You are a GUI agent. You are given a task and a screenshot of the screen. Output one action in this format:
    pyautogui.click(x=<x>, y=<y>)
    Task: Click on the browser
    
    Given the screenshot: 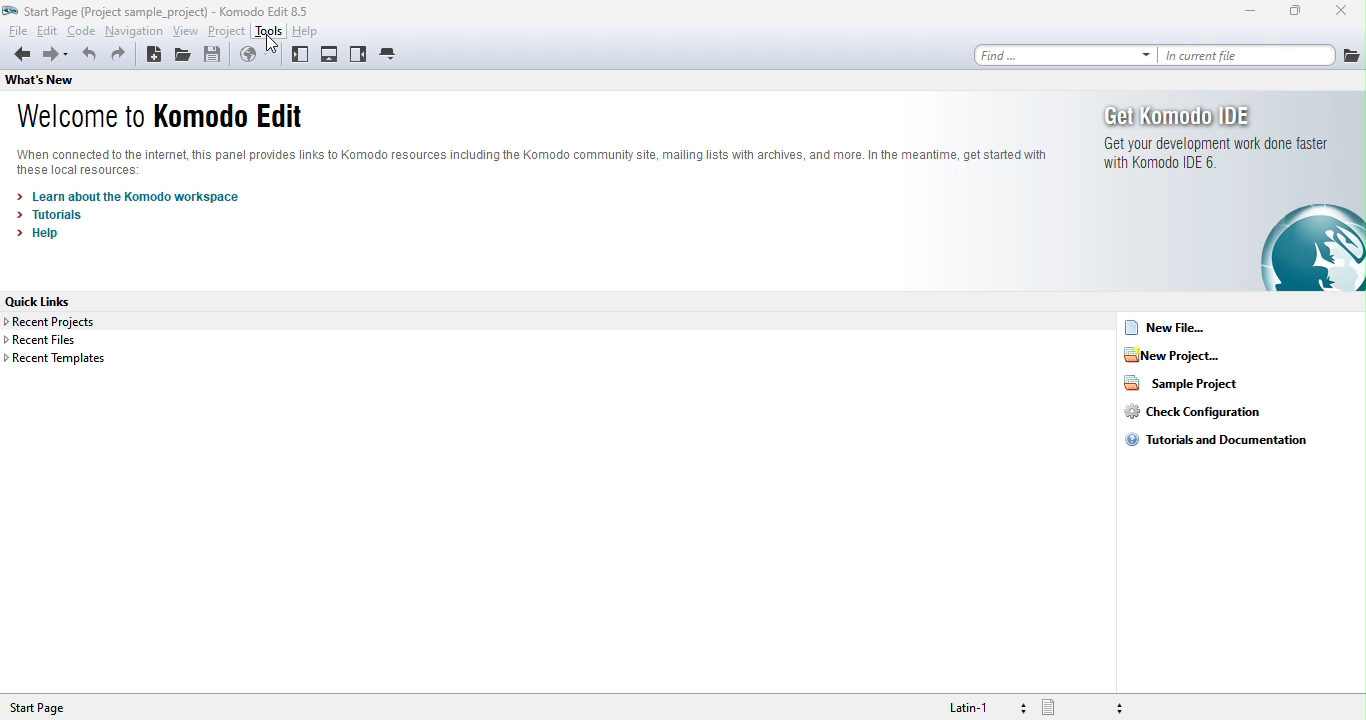 What is the action you would take?
    pyautogui.click(x=257, y=57)
    